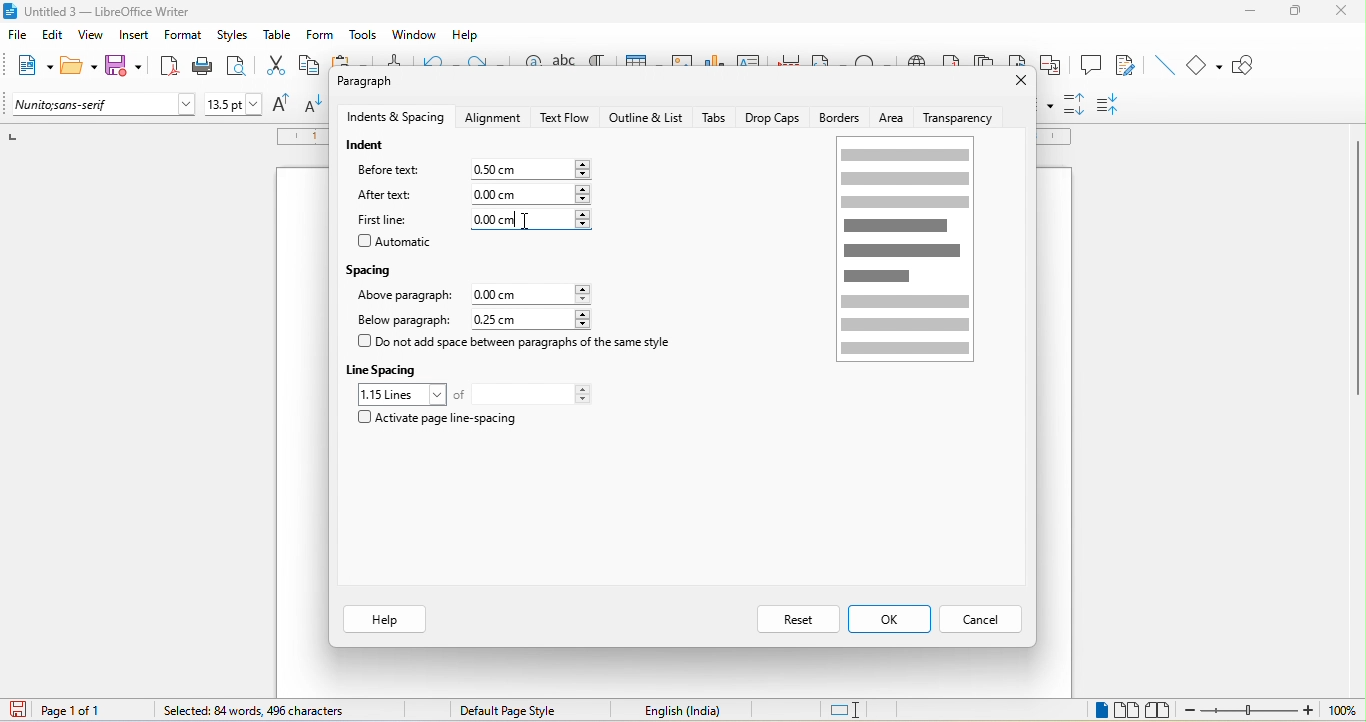 The image size is (1366, 722). Describe the element at coordinates (771, 117) in the screenshot. I see `drop caps` at that location.